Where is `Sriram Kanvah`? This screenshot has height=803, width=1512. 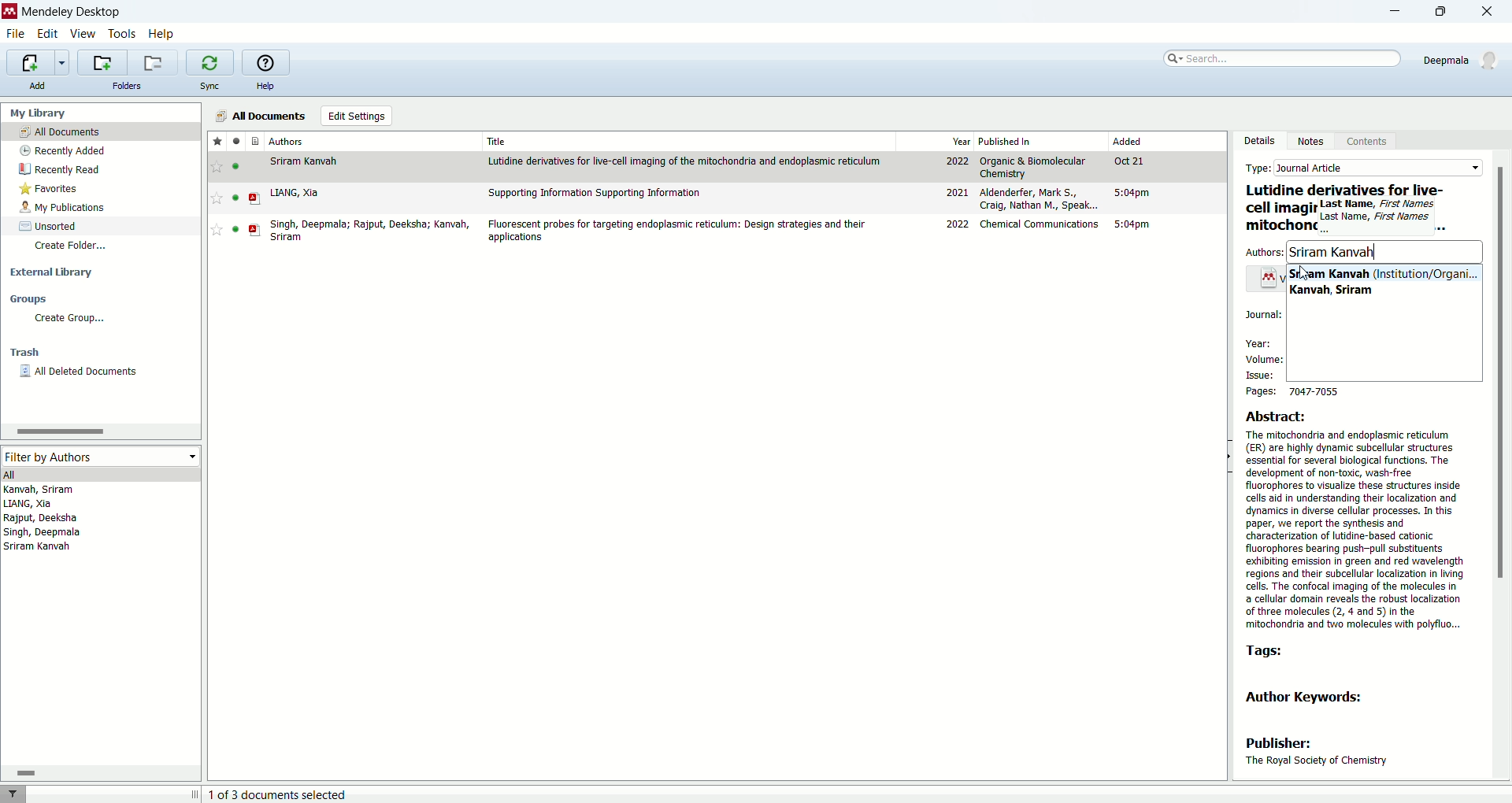 Sriram Kanvah is located at coordinates (1386, 251).